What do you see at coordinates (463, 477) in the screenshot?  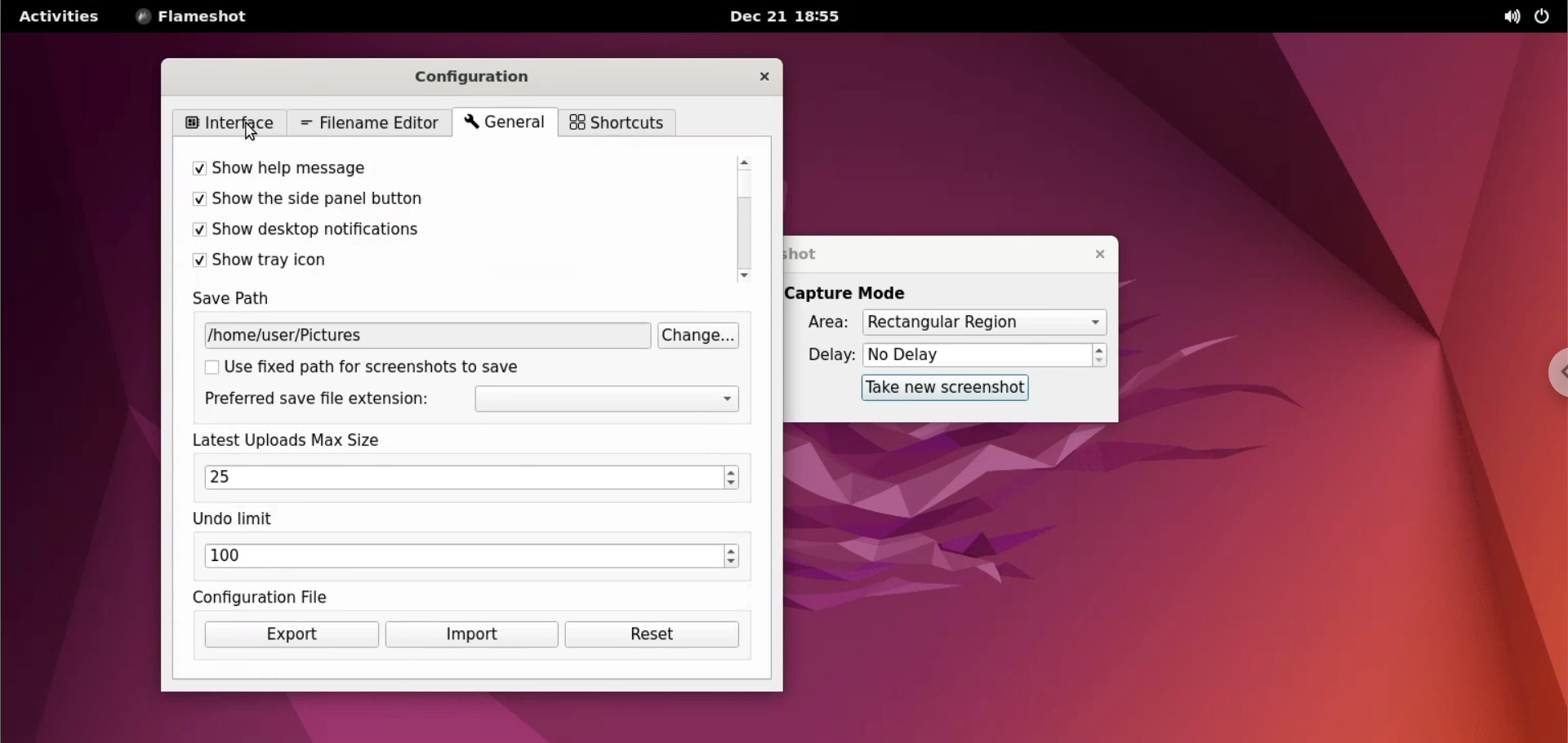 I see `25` at bounding box center [463, 477].